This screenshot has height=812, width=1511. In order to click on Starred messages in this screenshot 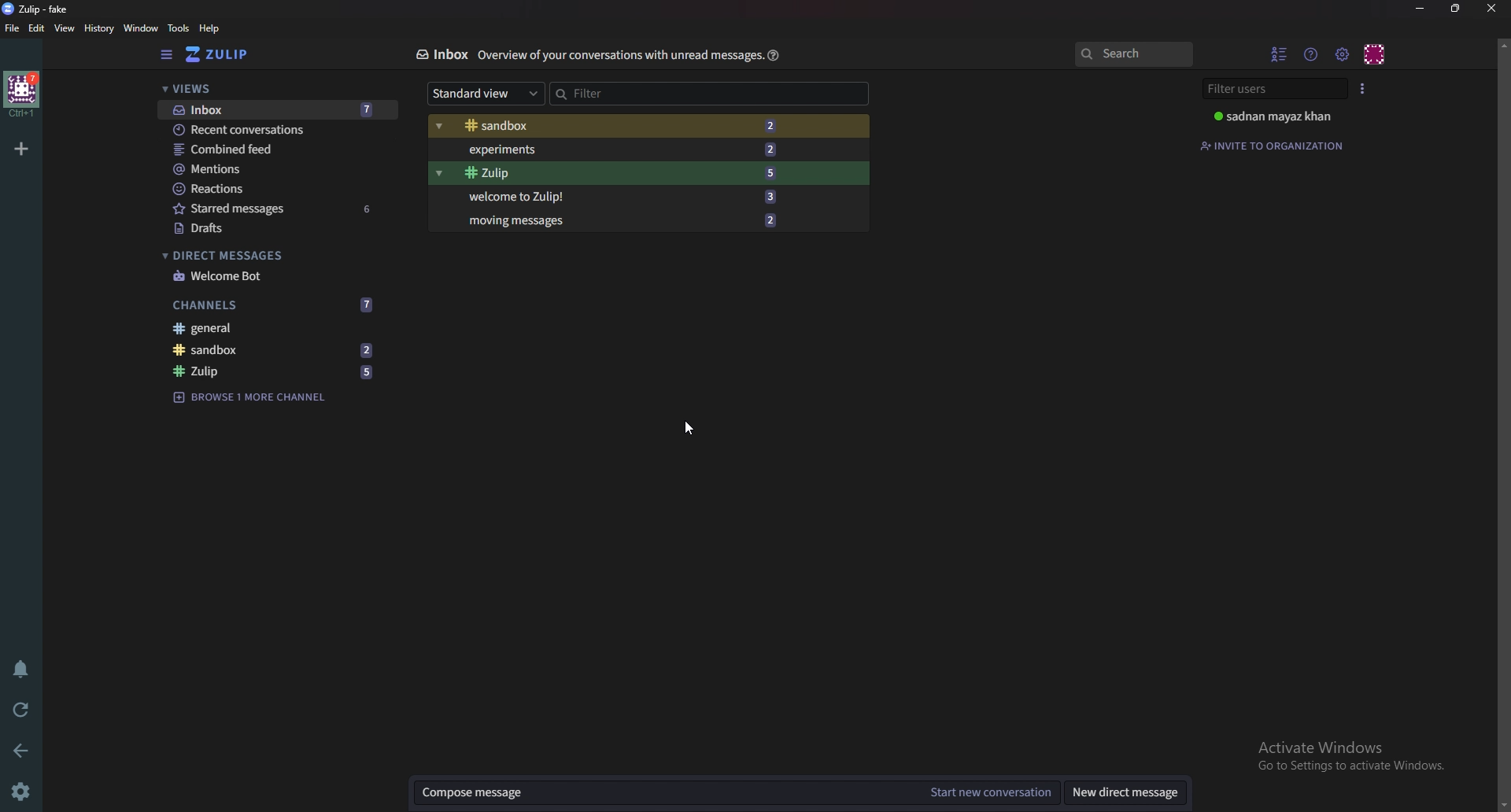, I will do `click(278, 208)`.